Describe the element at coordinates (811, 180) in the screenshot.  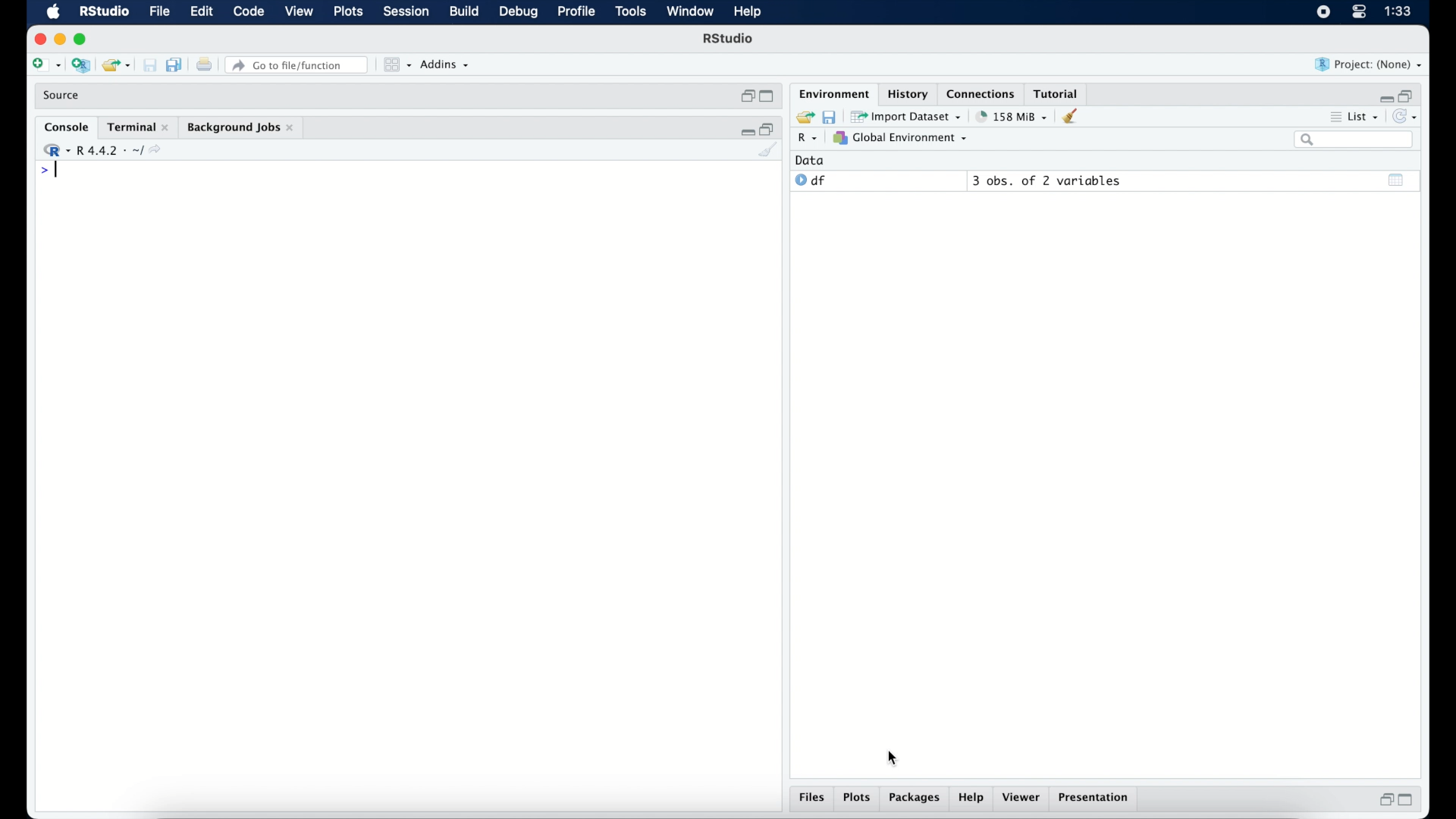
I see `df` at that location.